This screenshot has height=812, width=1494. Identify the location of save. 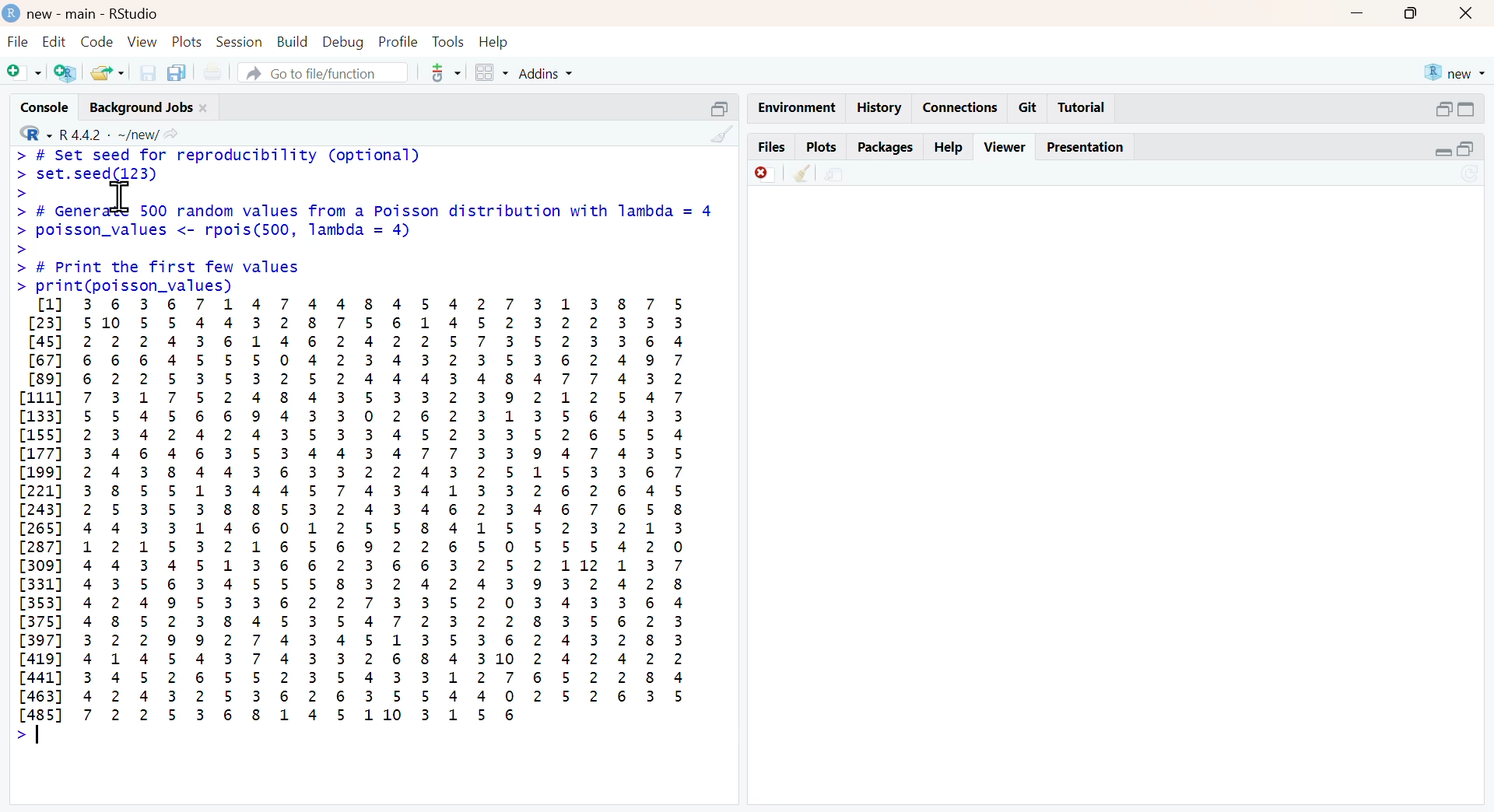
(149, 73).